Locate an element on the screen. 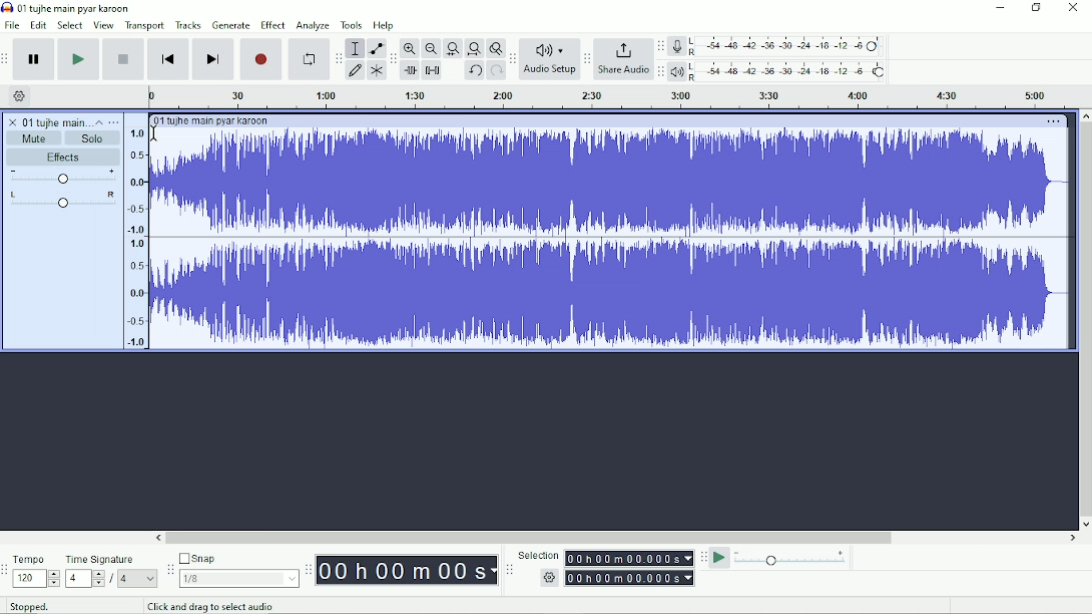  Pause is located at coordinates (36, 59).